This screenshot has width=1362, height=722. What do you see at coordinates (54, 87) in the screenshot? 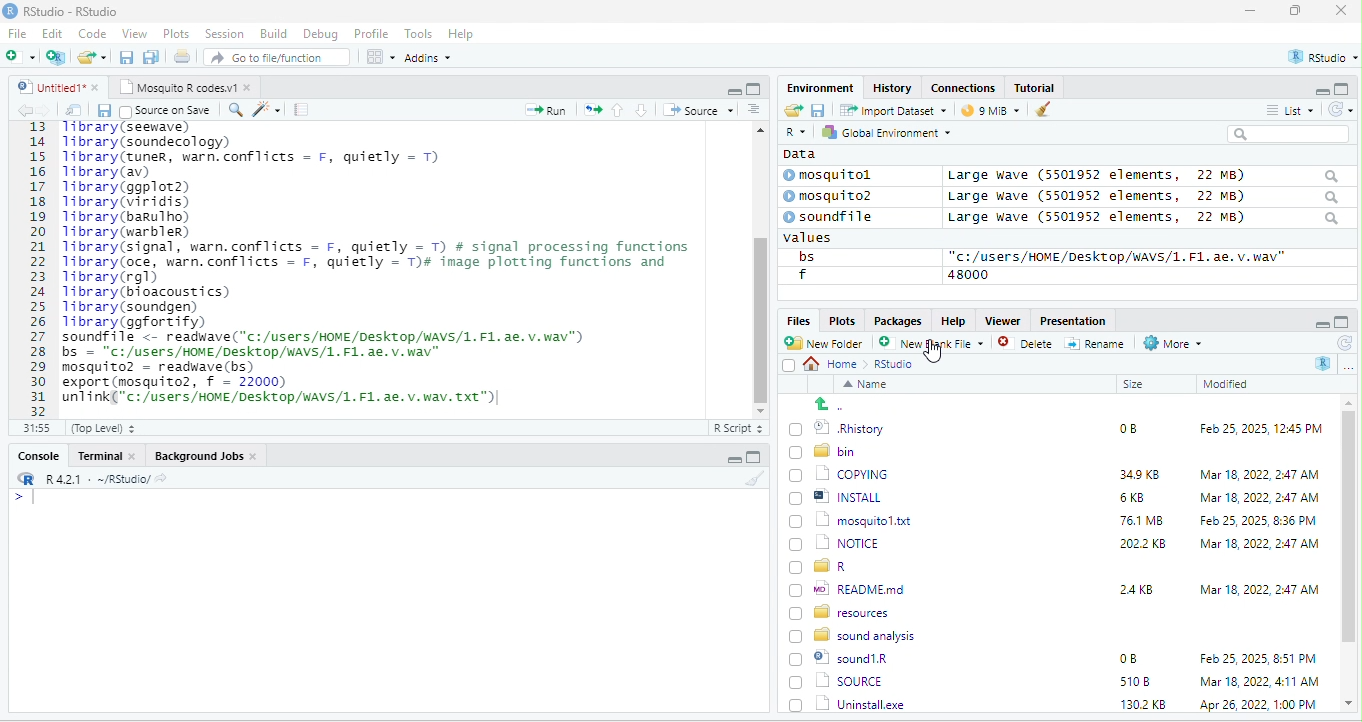
I see `© Untitied1* »` at bounding box center [54, 87].